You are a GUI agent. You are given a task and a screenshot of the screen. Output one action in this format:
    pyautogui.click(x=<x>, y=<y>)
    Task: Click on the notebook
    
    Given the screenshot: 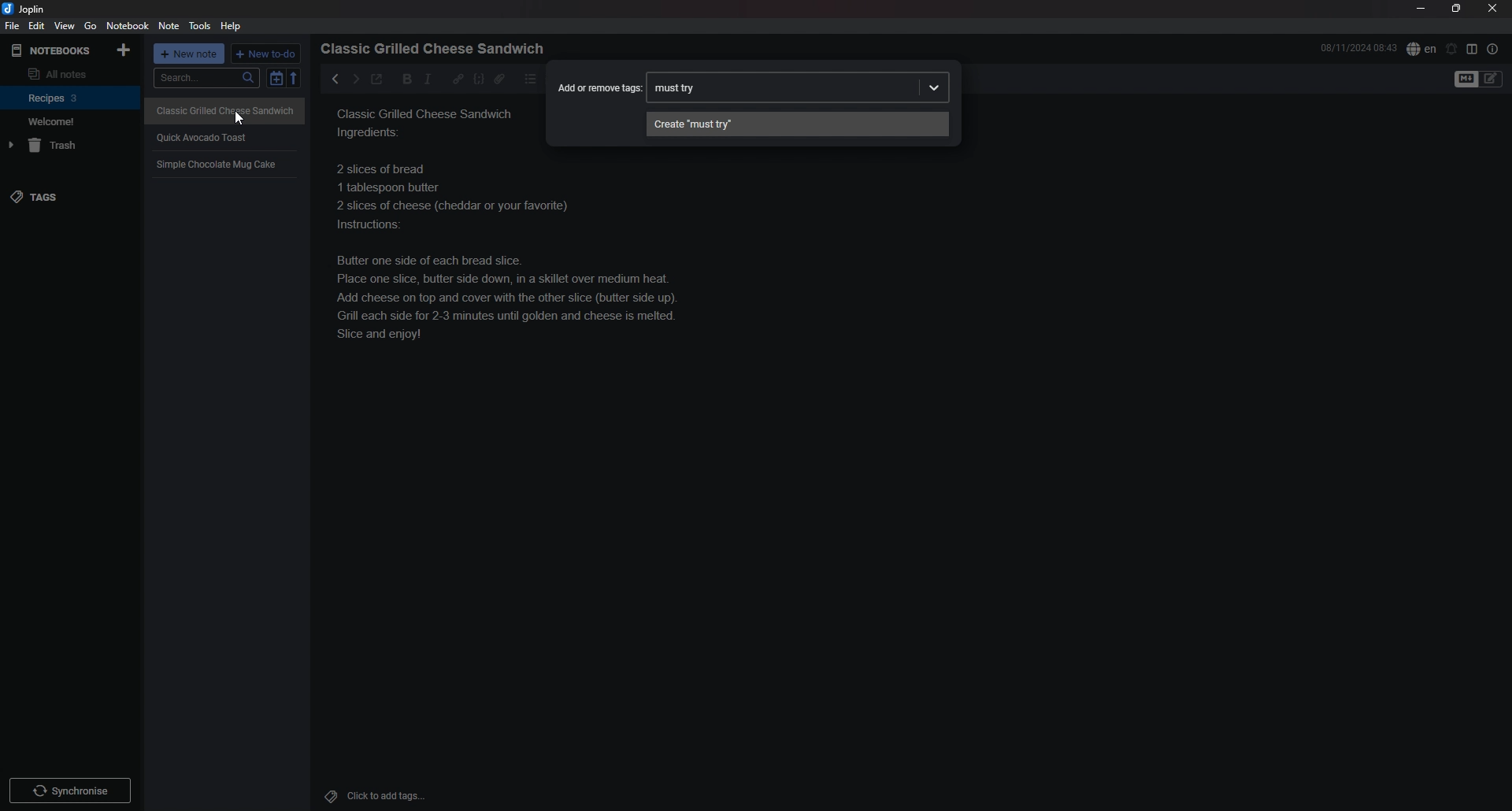 What is the action you would take?
    pyautogui.click(x=129, y=25)
    